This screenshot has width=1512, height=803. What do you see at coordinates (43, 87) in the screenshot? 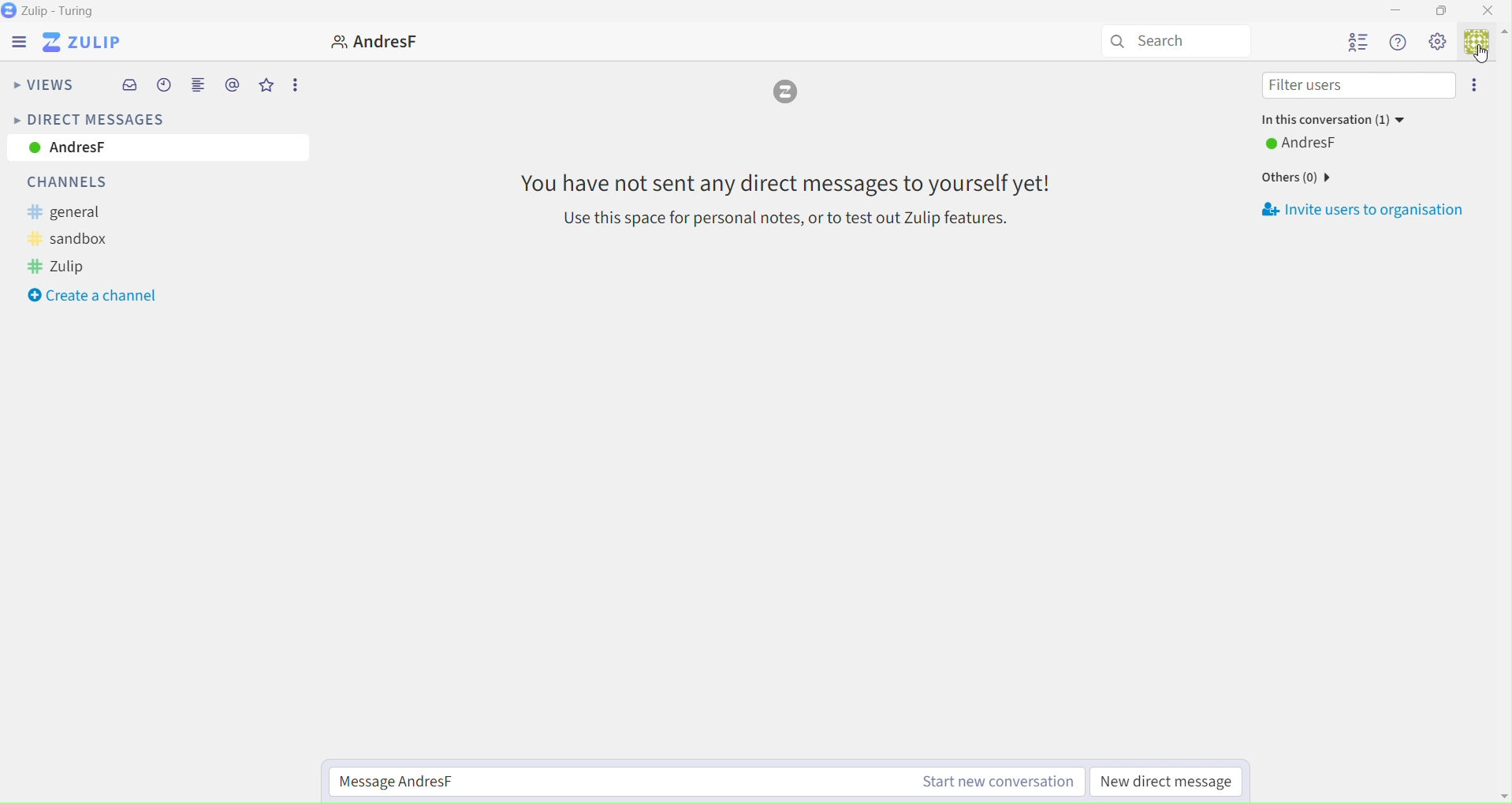
I see `Views` at bounding box center [43, 87].